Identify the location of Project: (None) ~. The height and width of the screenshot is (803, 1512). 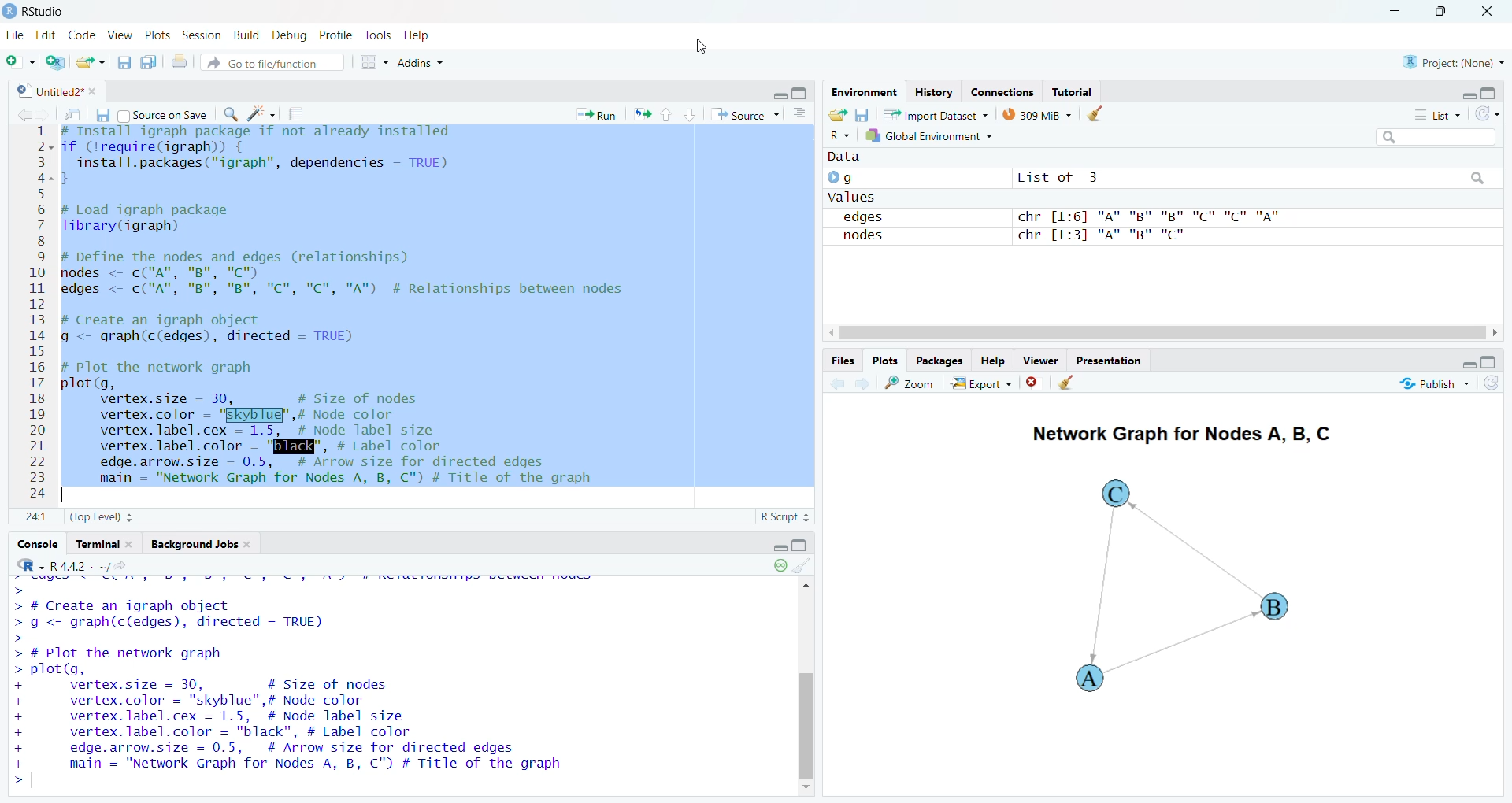
(1453, 61).